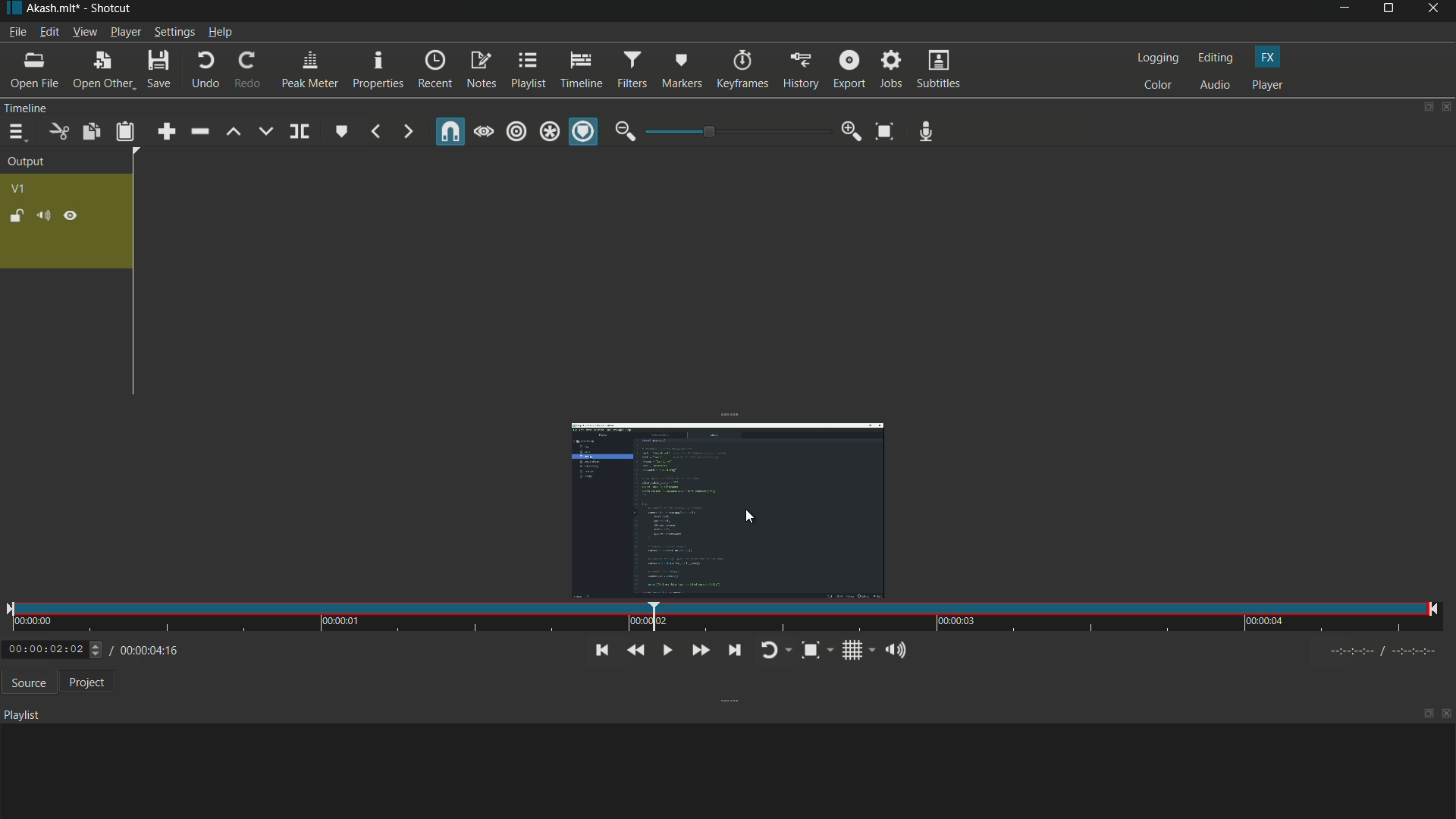 The width and height of the screenshot is (1456, 819). I want to click on output, so click(27, 163).